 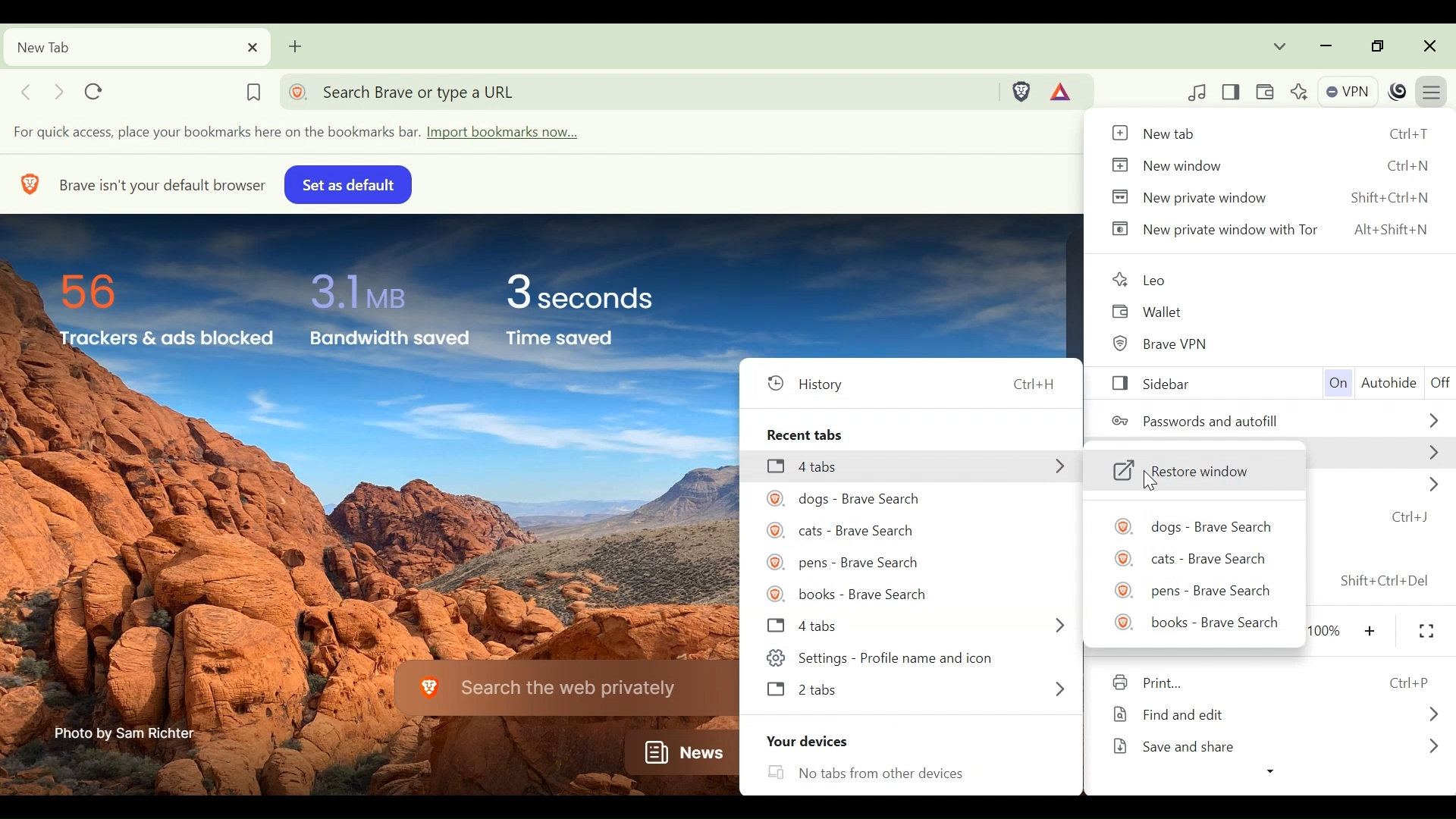 What do you see at coordinates (1165, 164) in the screenshot?
I see `New window` at bounding box center [1165, 164].